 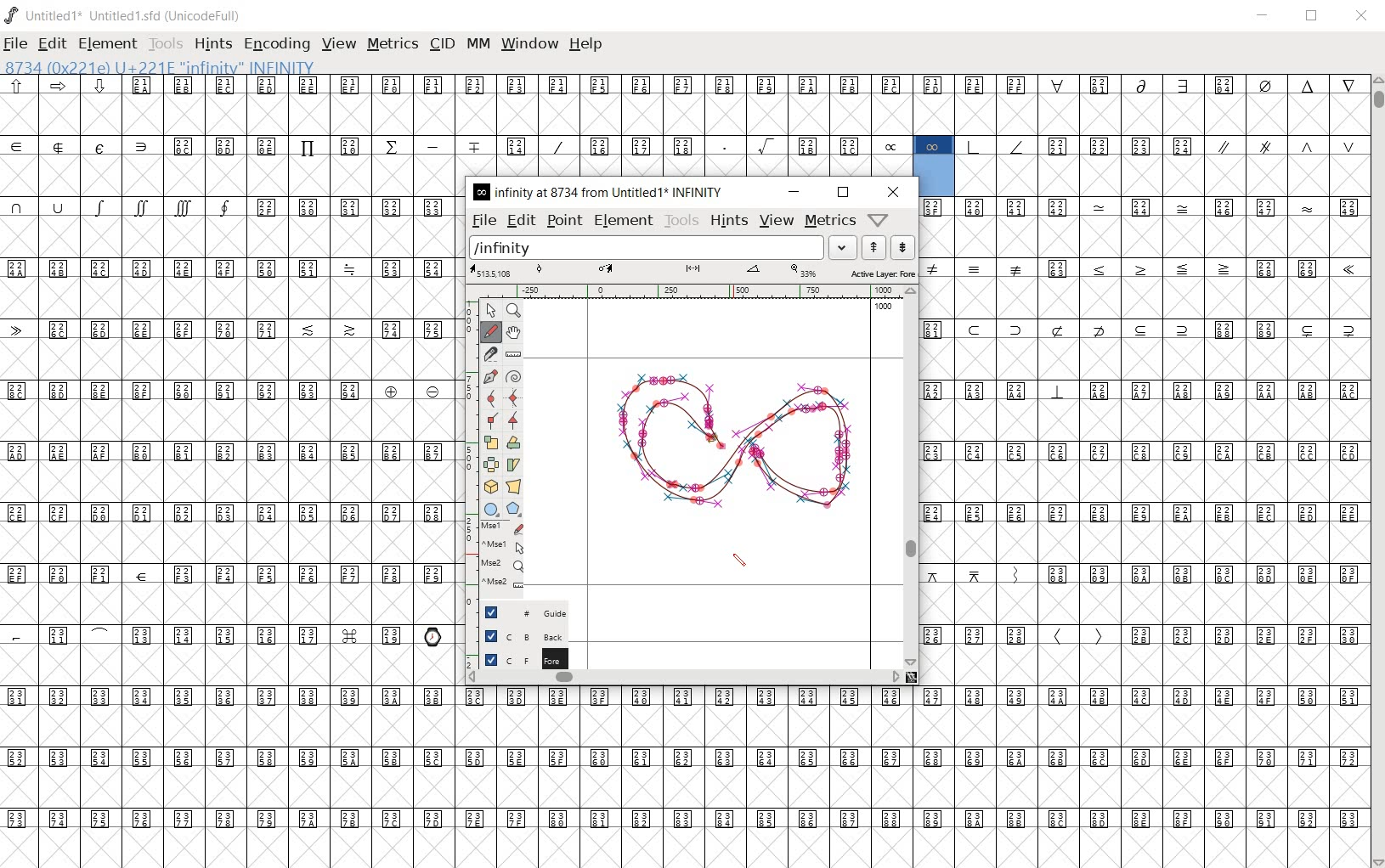 What do you see at coordinates (888, 247) in the screenshot?
I see `show the previous or next word list` at bounding box center [888, 247].